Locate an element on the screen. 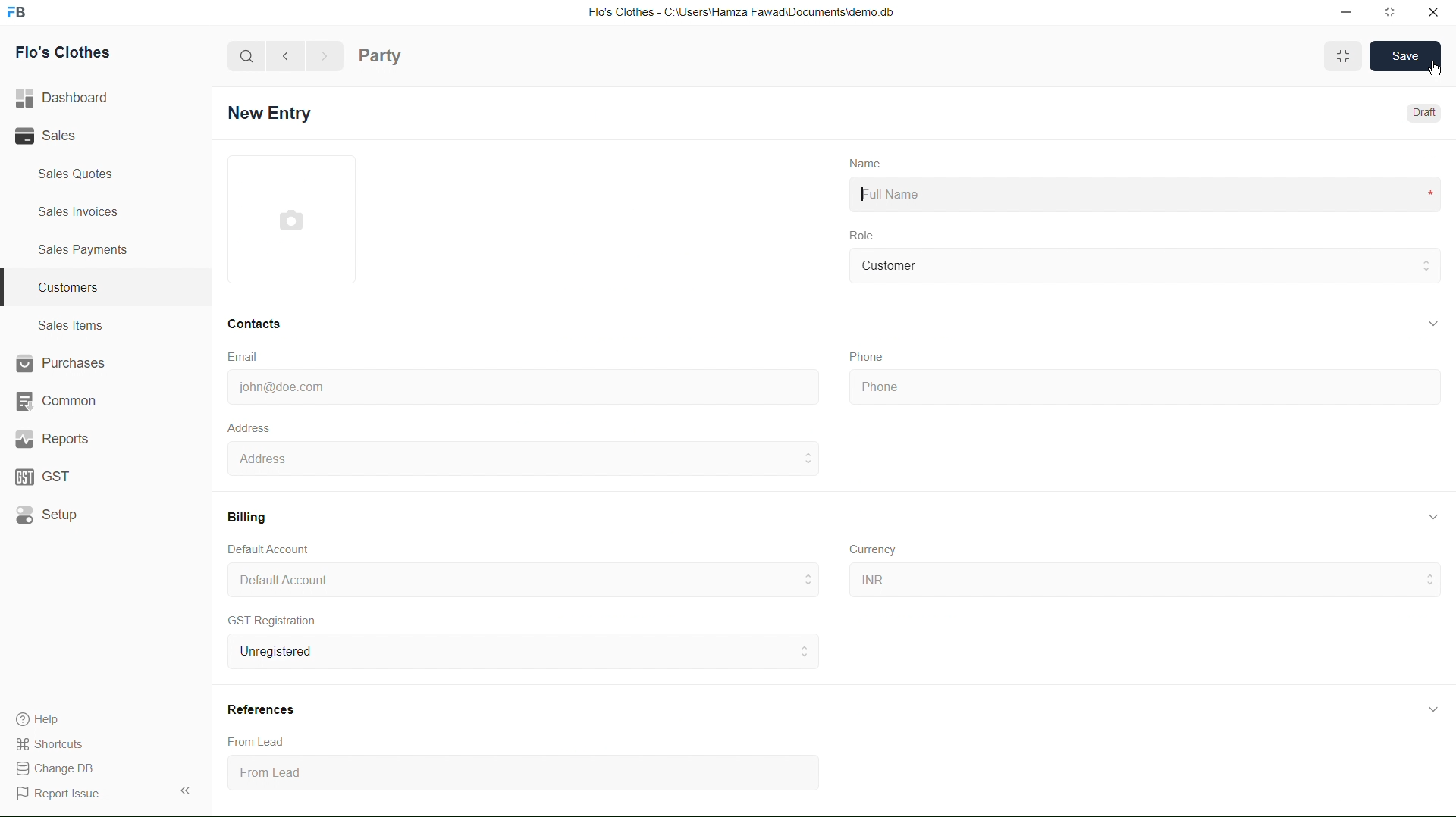  john@doe.com is located at coordinates (282, 387).